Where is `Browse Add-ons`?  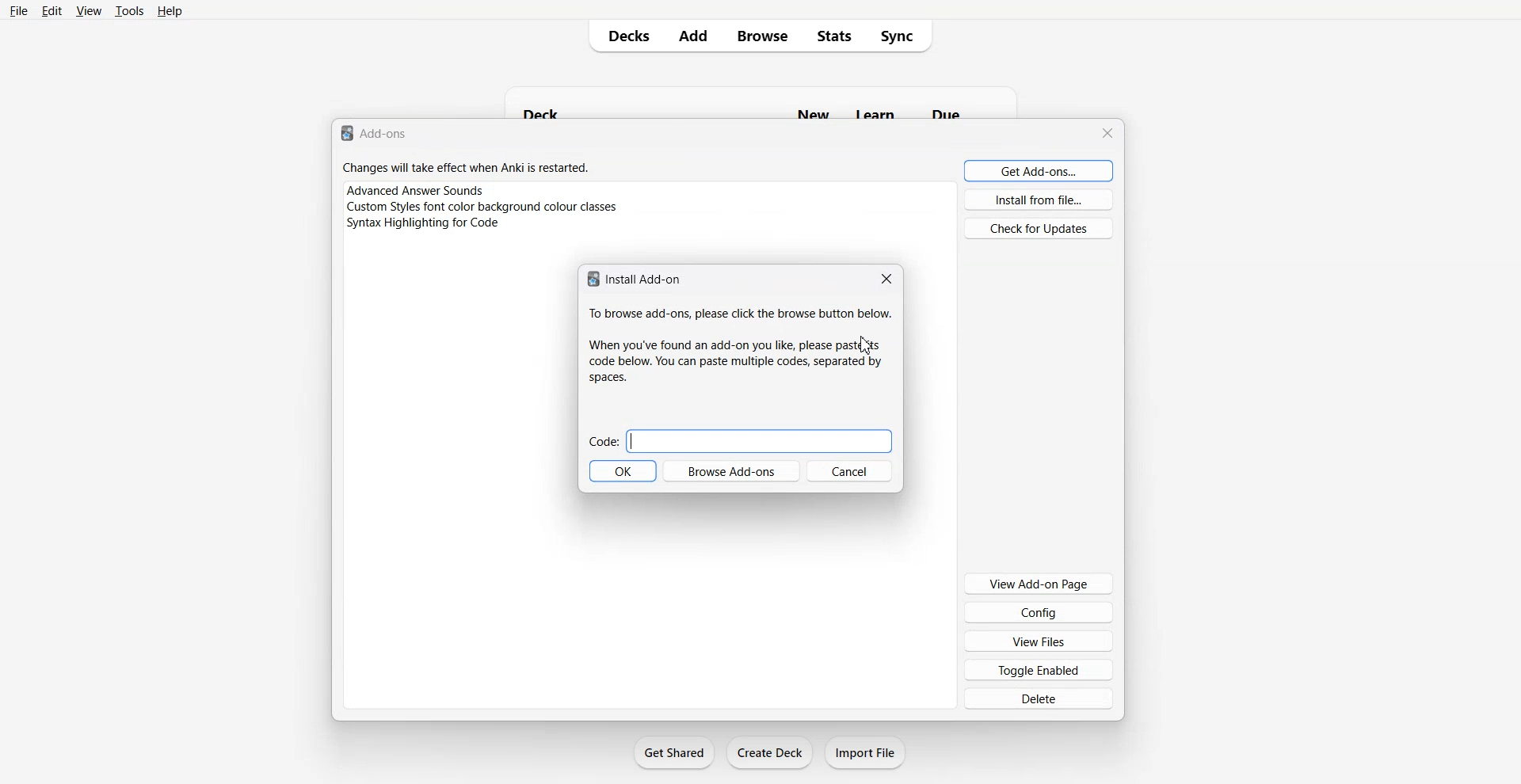 Browse Add-ons is located at coordinates (730, 470).